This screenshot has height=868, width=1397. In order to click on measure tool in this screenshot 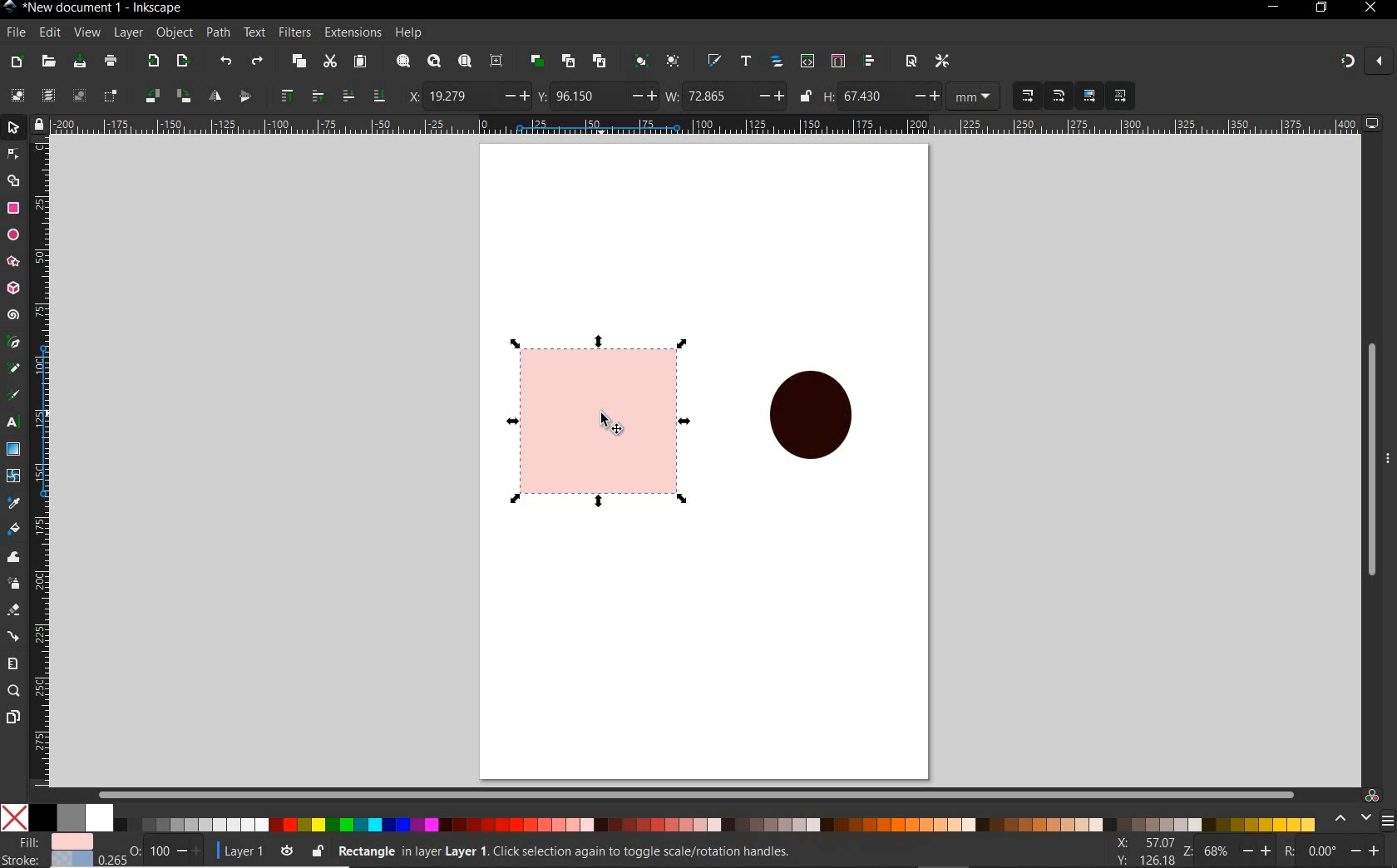, I will do `click(12, 664)`.